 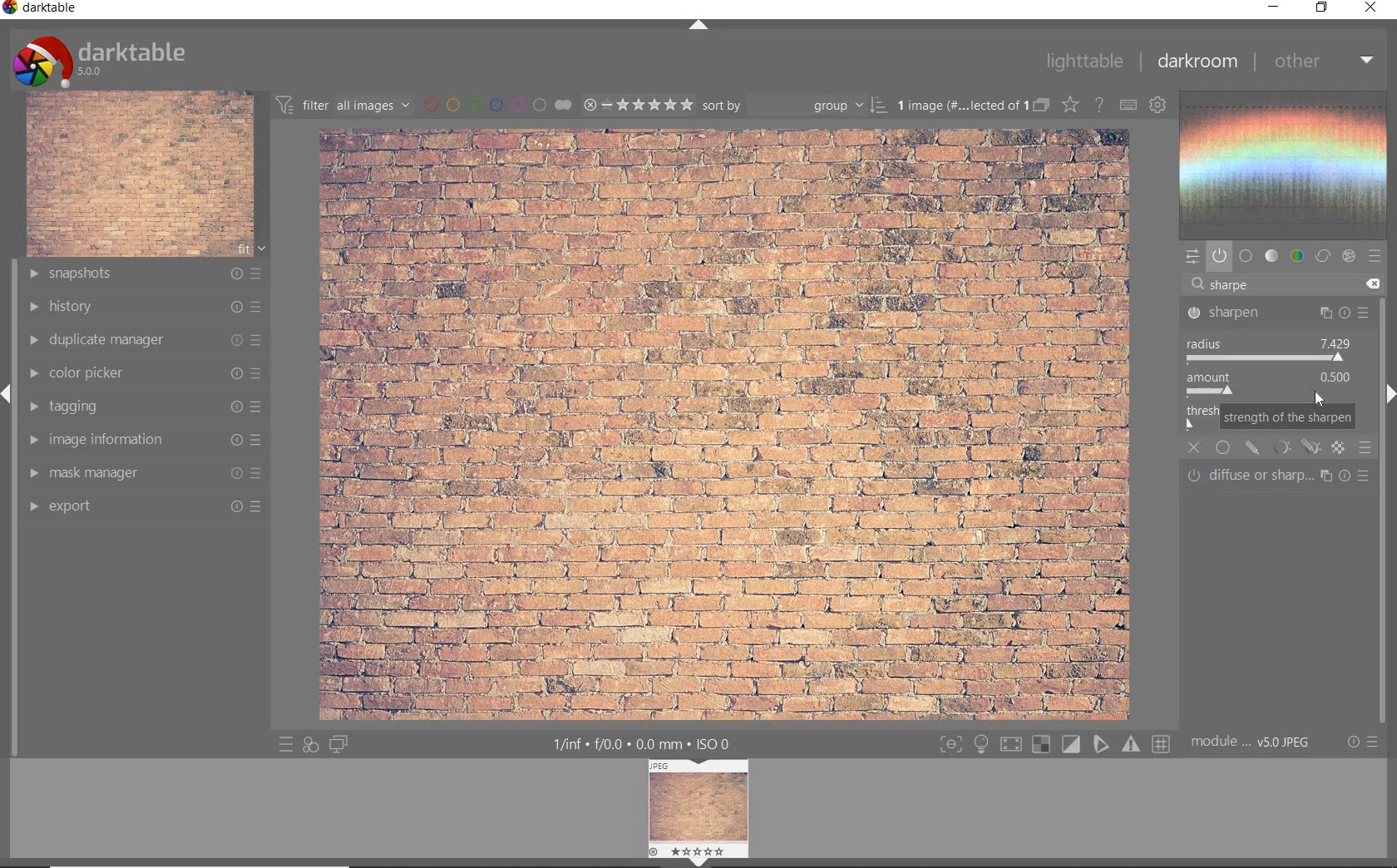 I want to click on lighttable, so click(x=1084, y=61).